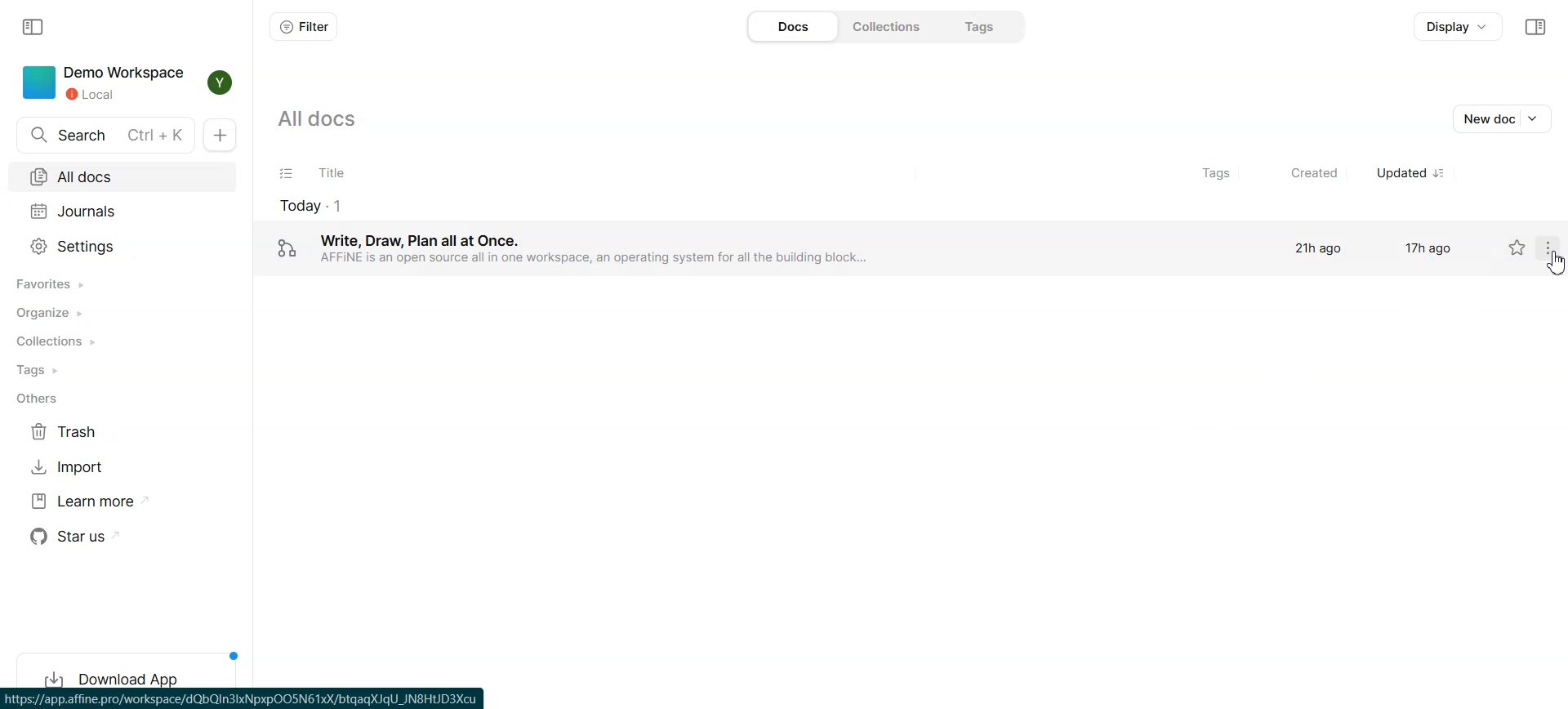  Describe the element at coordinates (124, 399) in the screenshot. I see `Others` at that location.